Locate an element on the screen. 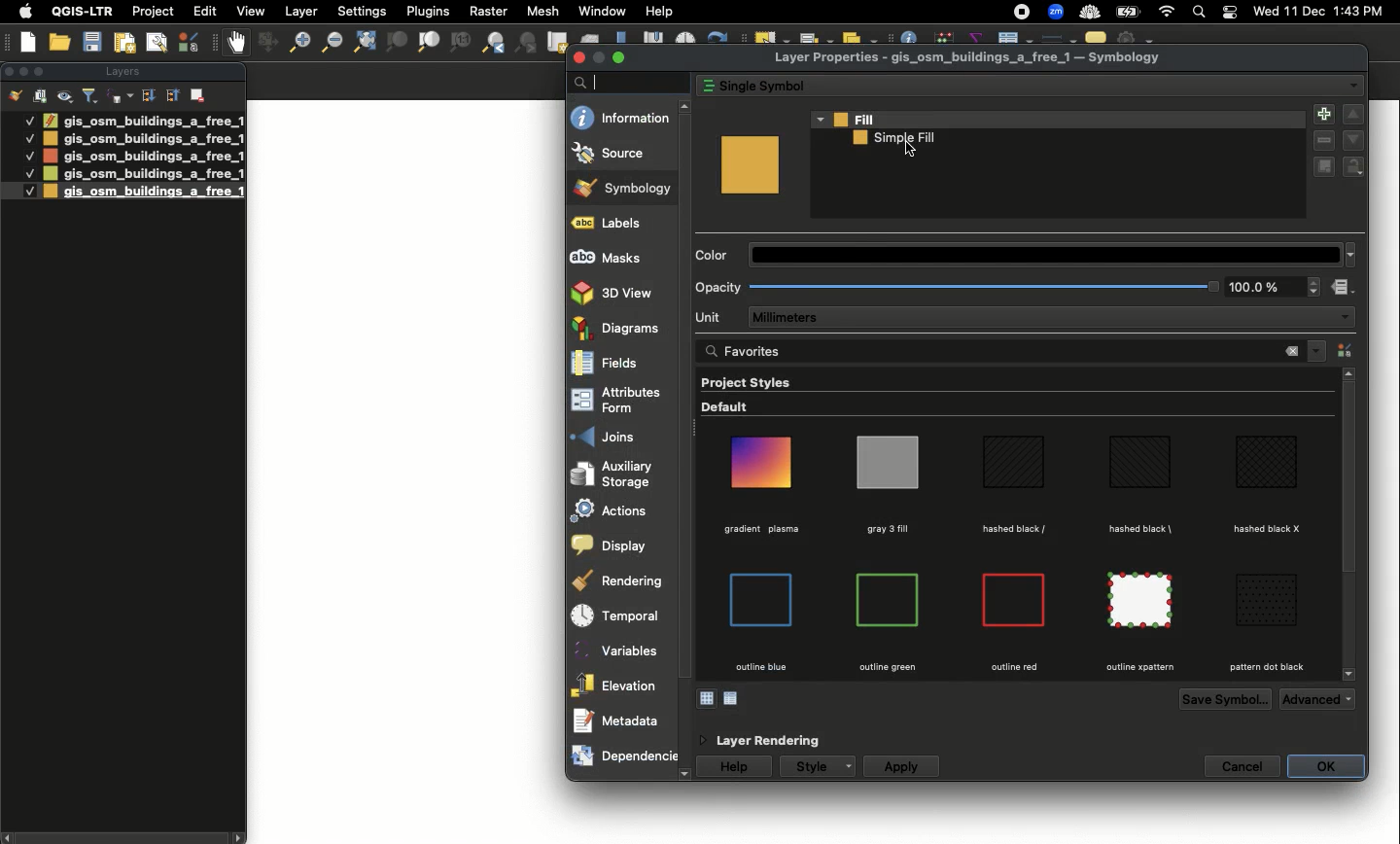 The image size is (1400, 844). ‘hashed black | is located at coordinates (1140, 528).